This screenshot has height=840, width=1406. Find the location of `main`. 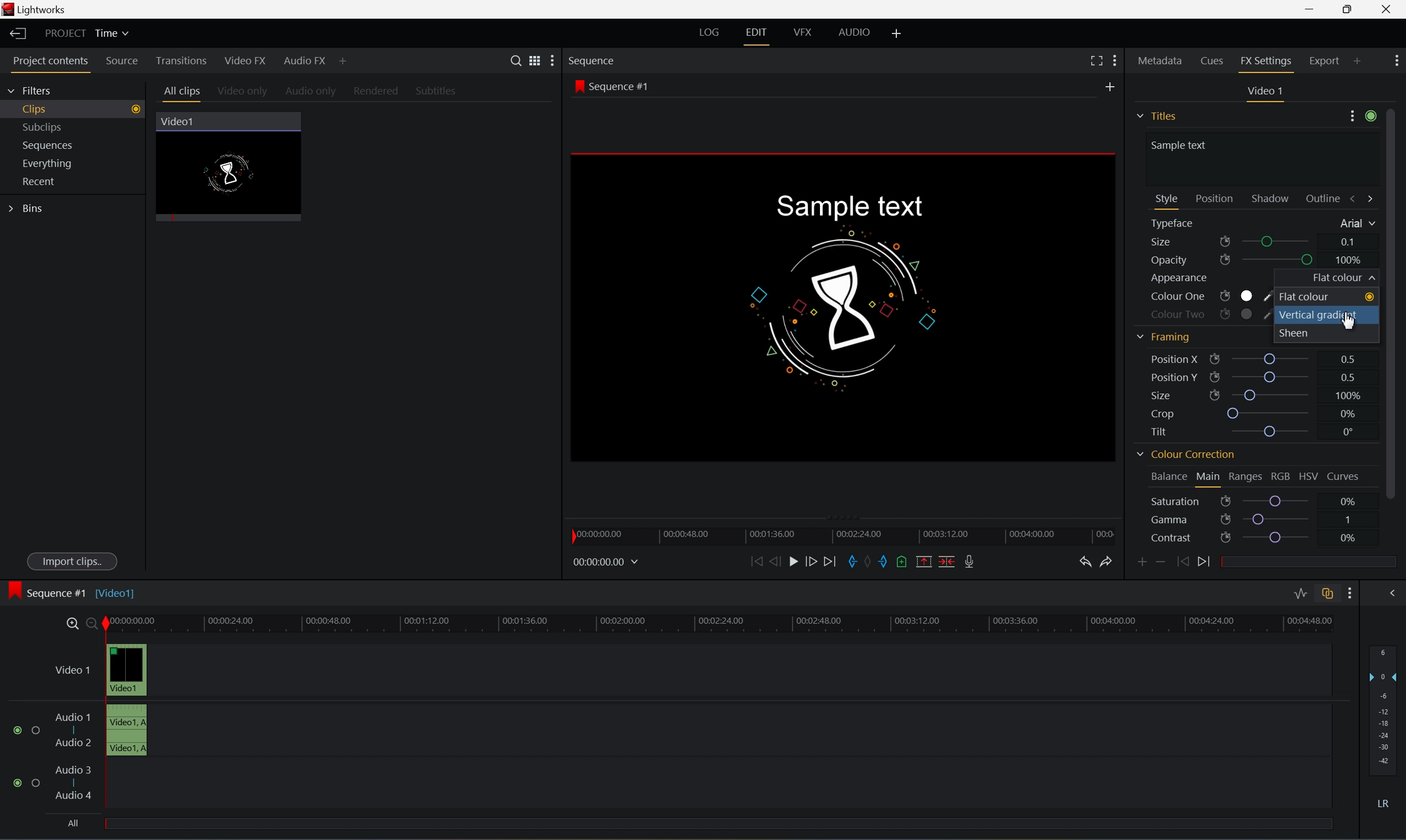

main is located at coordinates (1210, 478).